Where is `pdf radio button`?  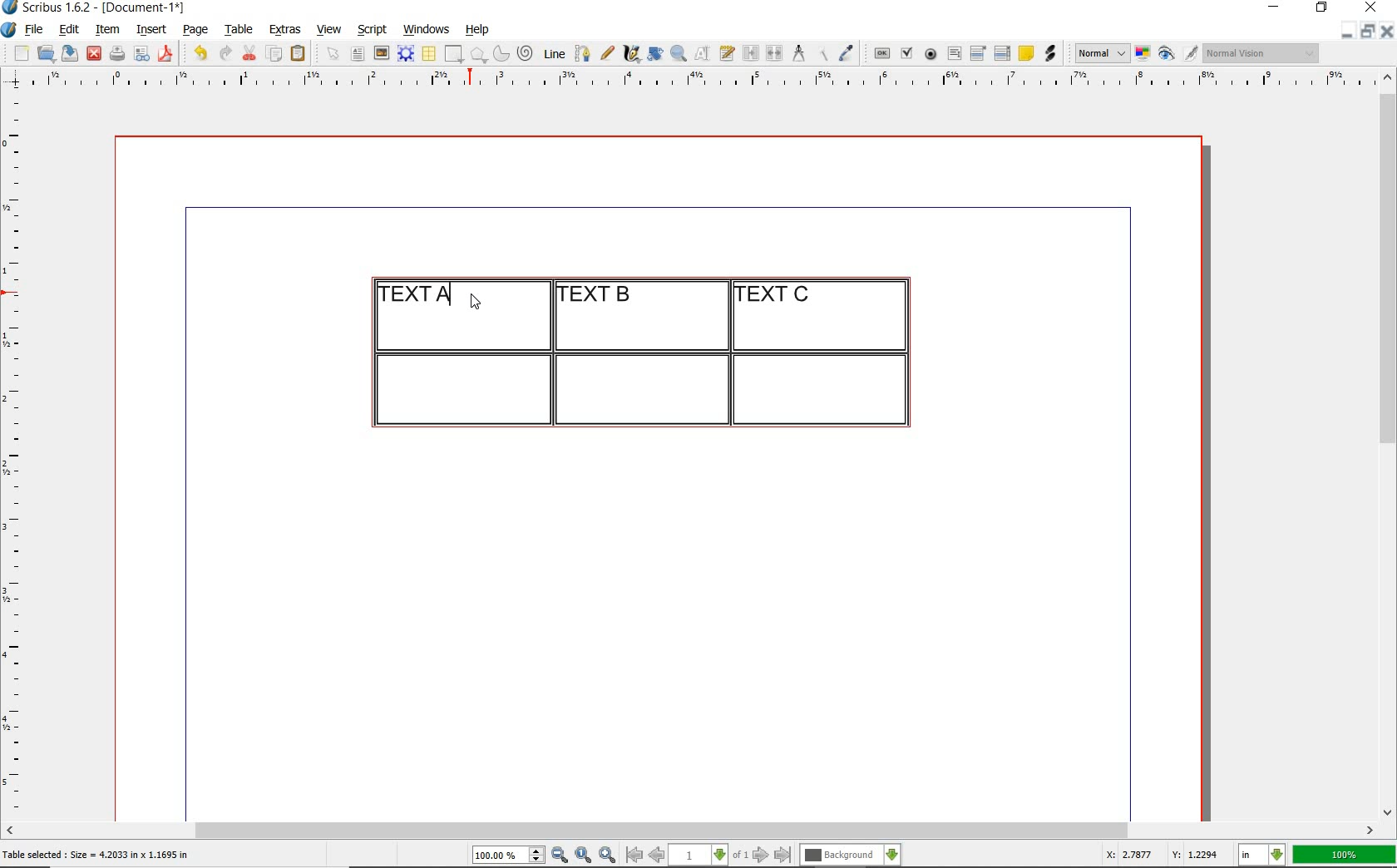
pdf radio button is located at coordinates (931, 56).